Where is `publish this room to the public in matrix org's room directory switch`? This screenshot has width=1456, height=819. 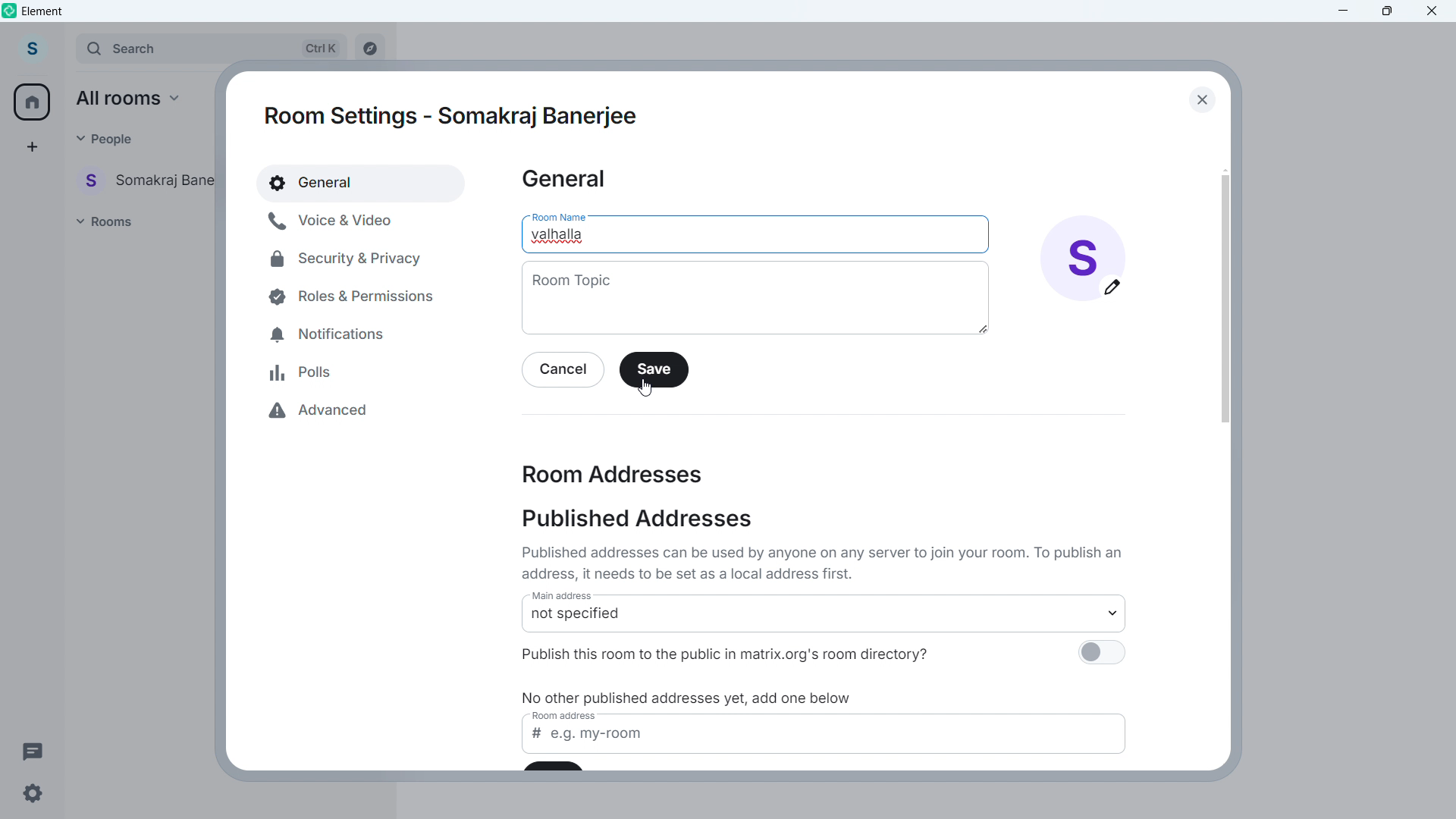
publish this room to the public in matrix org's room directory switch is located at coordinates (1100, 656).